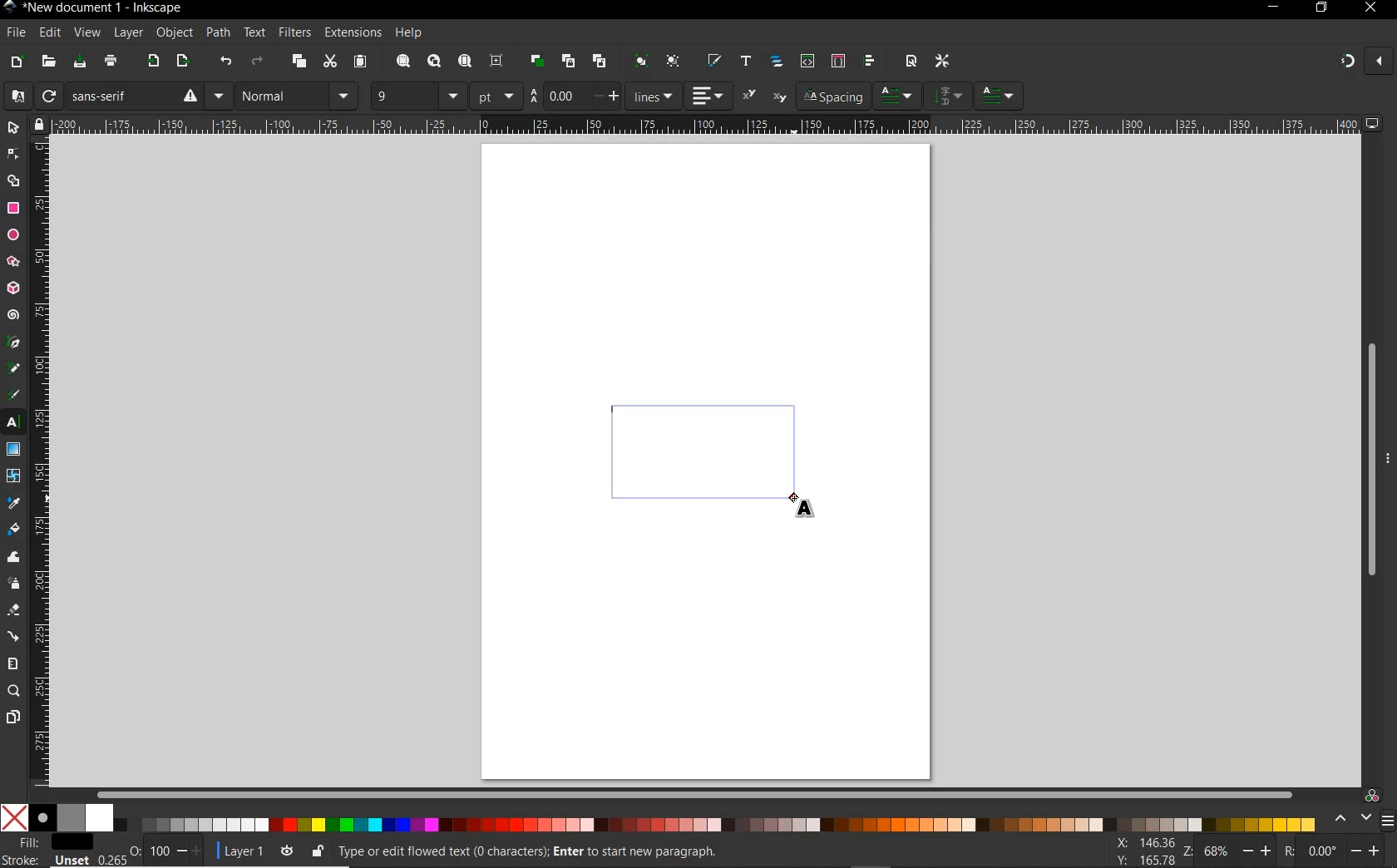  I want to click on open xml editor, so click(806, 61).